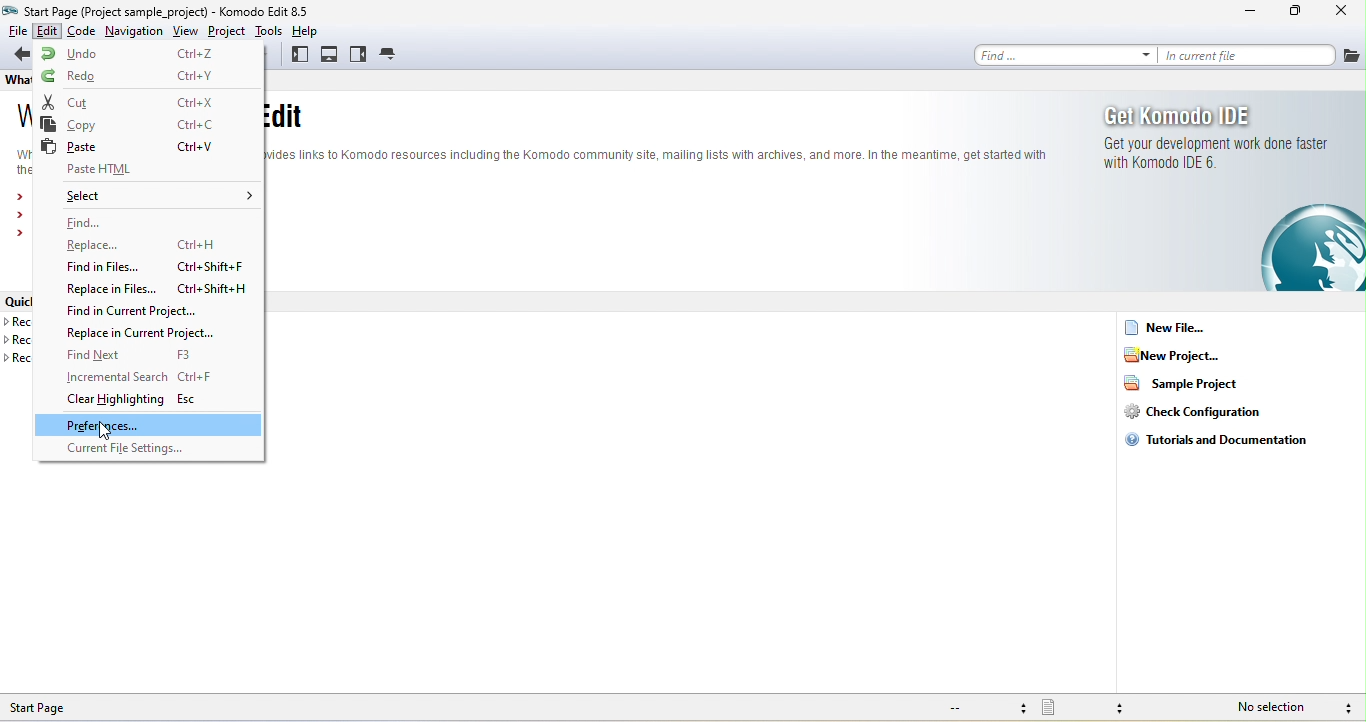 Image resolution: width=1366 pixels, height=722 pixels. Describe the element at coordinates (146, 54) in the screenshot. I see `undo` at that location.